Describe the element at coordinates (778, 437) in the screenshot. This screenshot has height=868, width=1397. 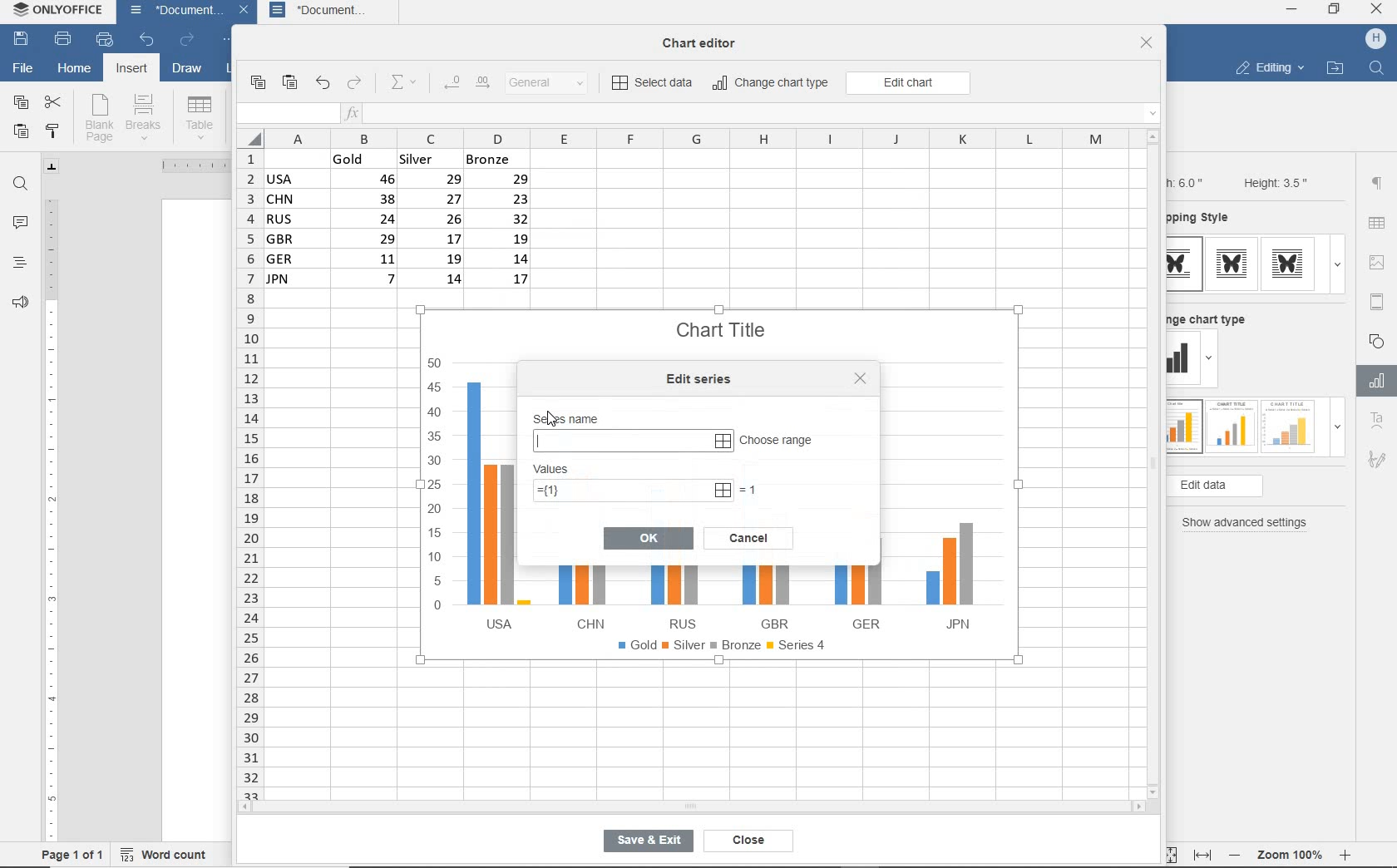
I see `choose range` at that location.